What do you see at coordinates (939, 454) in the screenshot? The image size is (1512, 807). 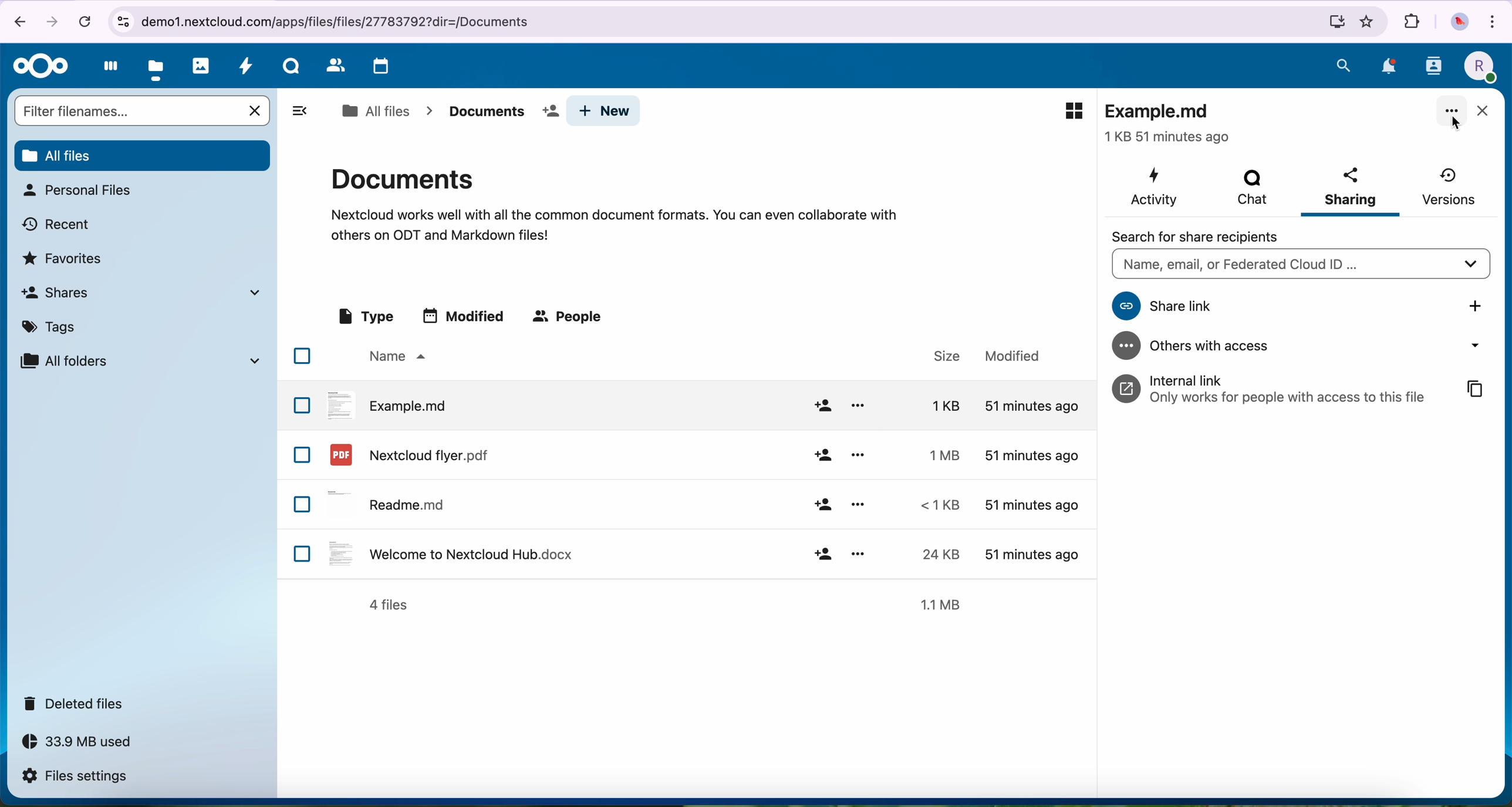 I see `size` at bounding box center [939, 454].